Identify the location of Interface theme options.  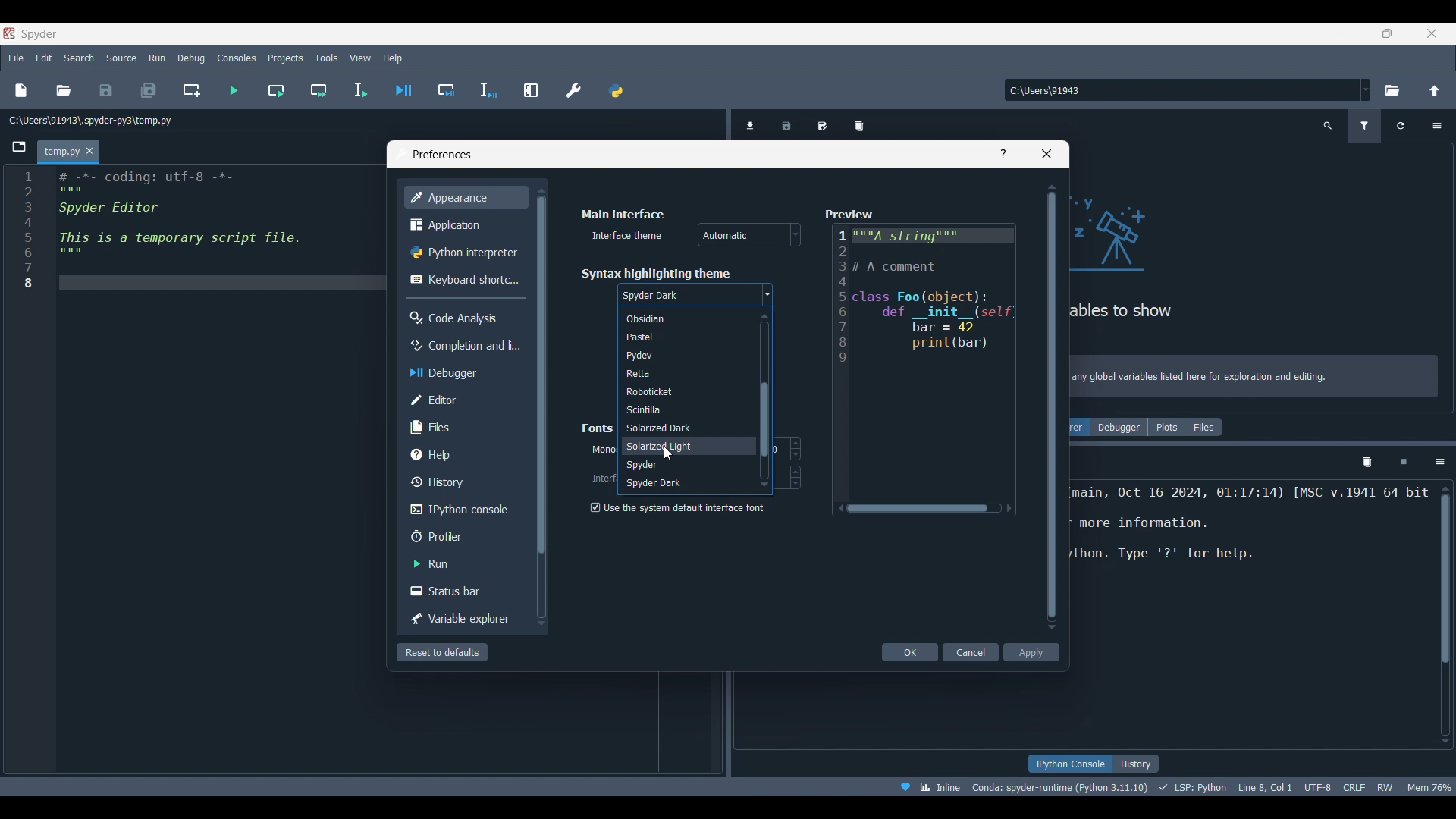
(749, 234).